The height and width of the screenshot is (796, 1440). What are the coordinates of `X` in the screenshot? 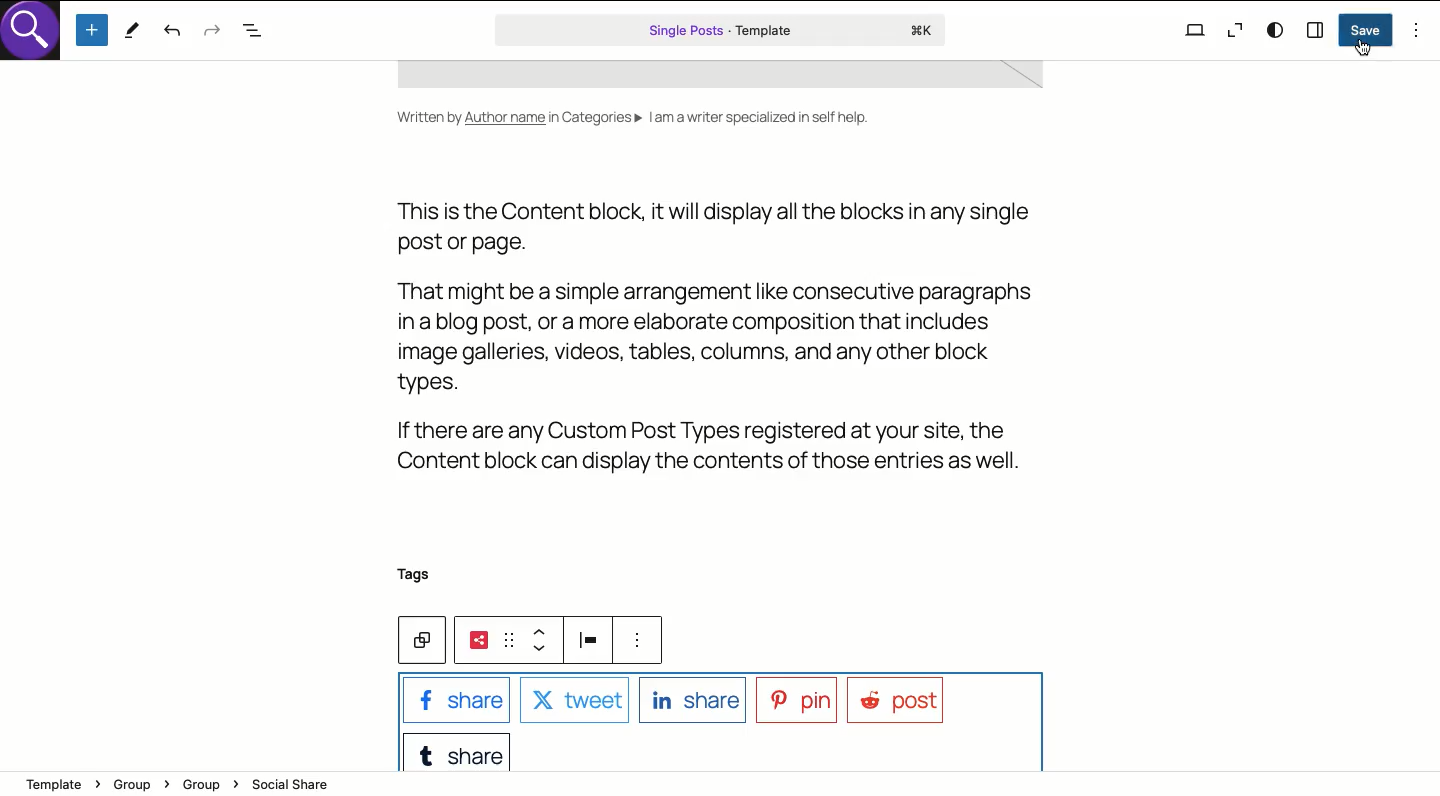 It's located at (573, 699).